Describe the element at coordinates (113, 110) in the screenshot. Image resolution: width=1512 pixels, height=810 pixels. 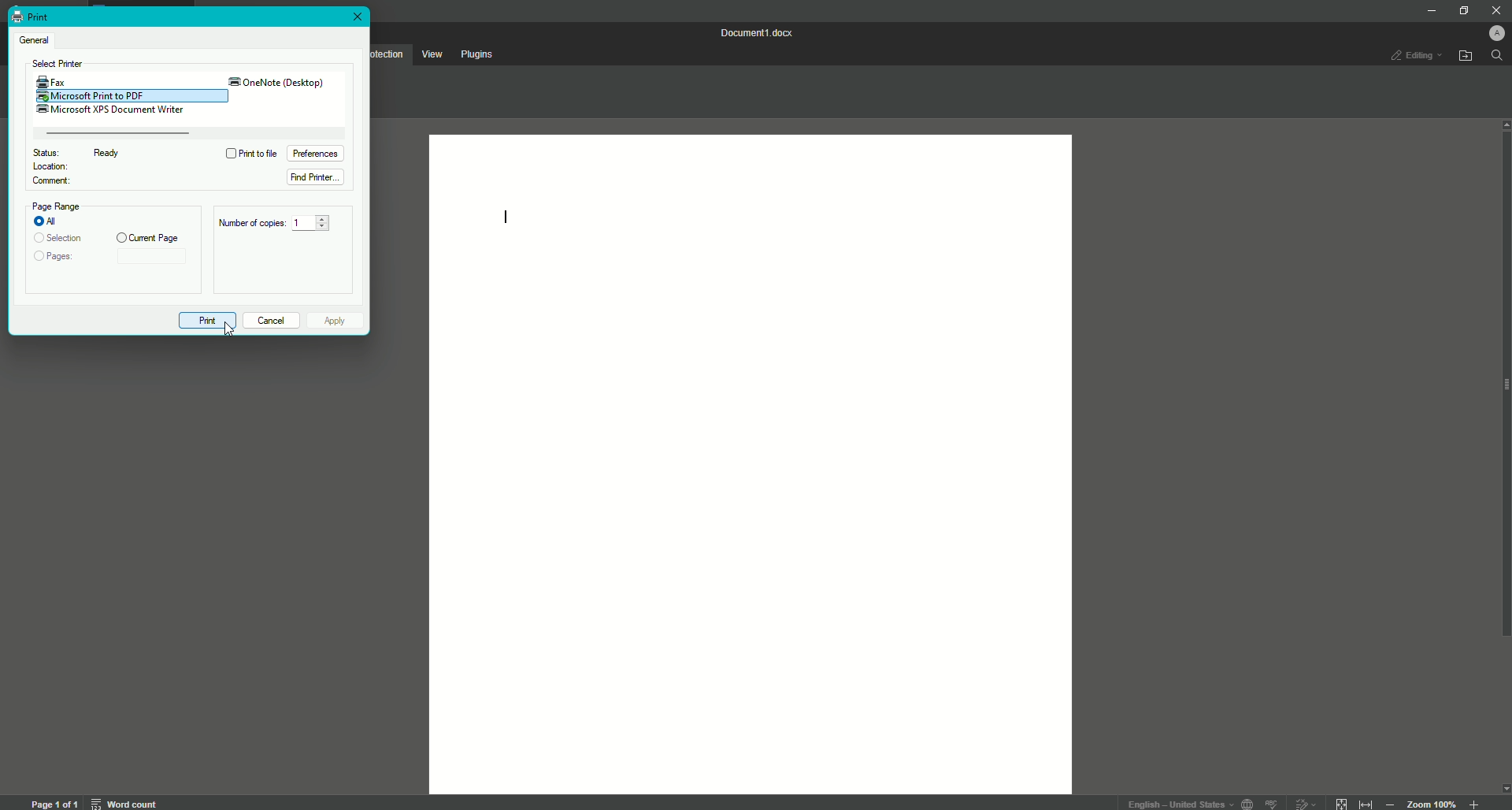
I see `Microsoft XPS` at that location.